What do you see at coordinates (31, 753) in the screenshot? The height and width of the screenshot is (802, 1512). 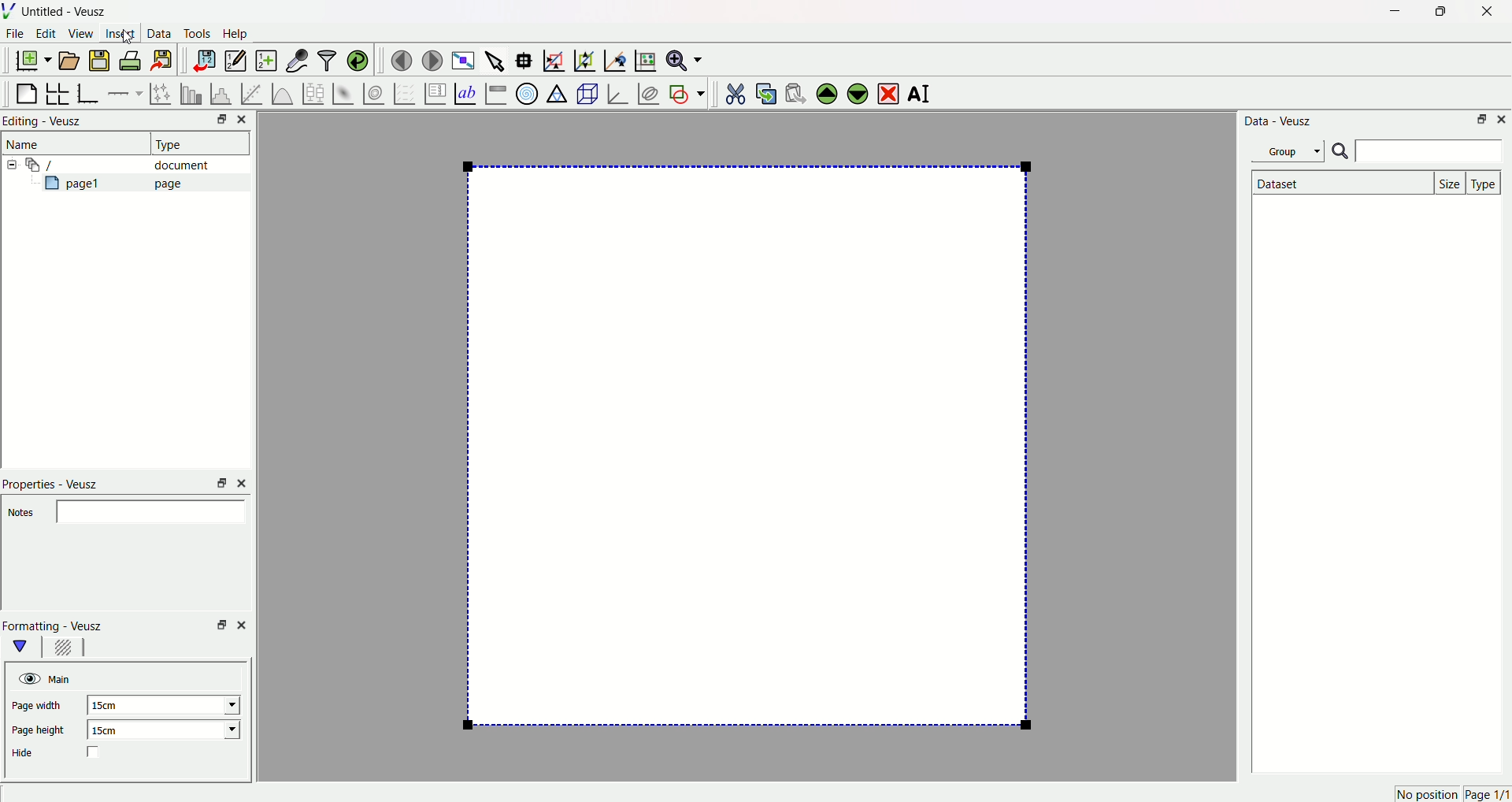 I see `Hide` at bounding box center [31, 753].